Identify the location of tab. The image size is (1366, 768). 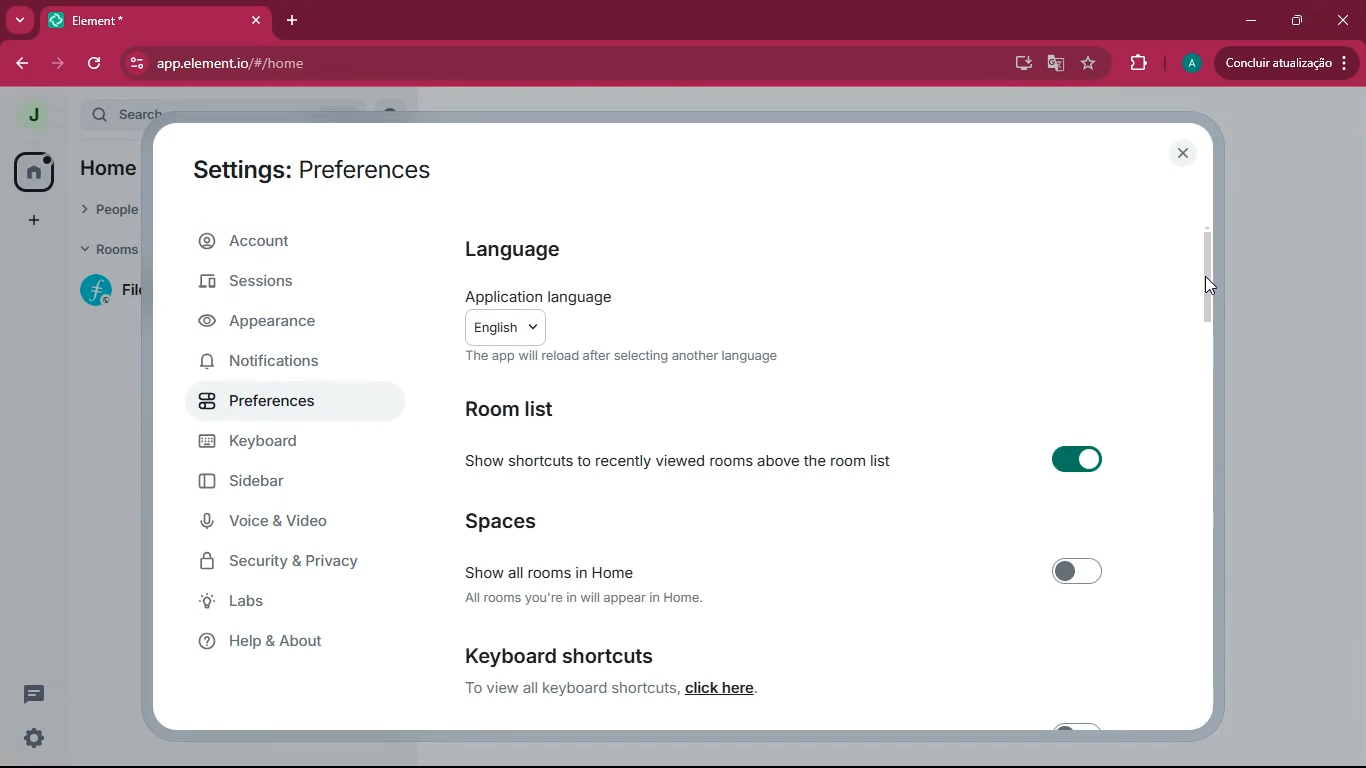
(157, 20).